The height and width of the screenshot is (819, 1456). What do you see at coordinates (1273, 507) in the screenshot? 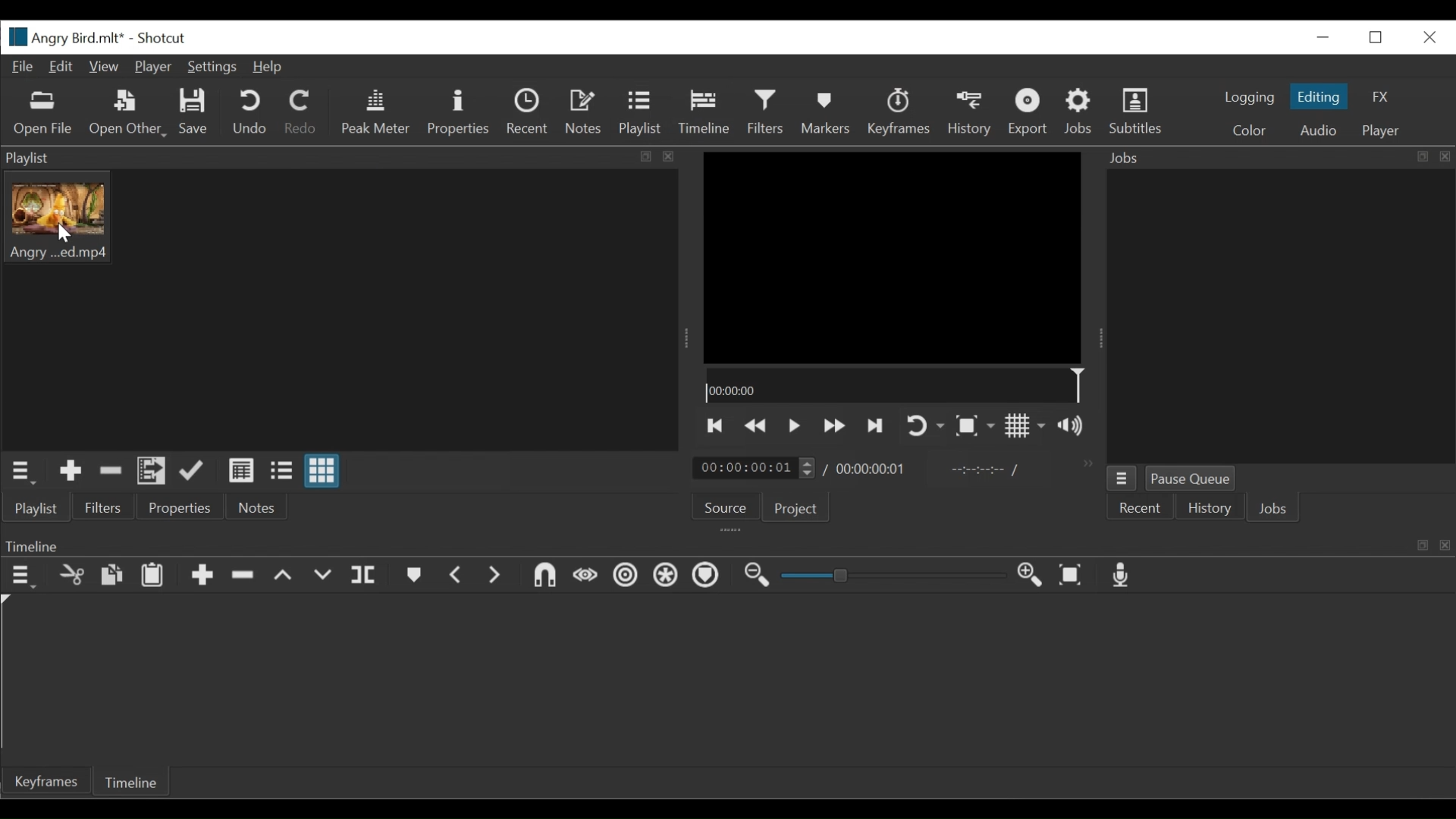
I see `Jobs` at bounding box center [1273, 507].